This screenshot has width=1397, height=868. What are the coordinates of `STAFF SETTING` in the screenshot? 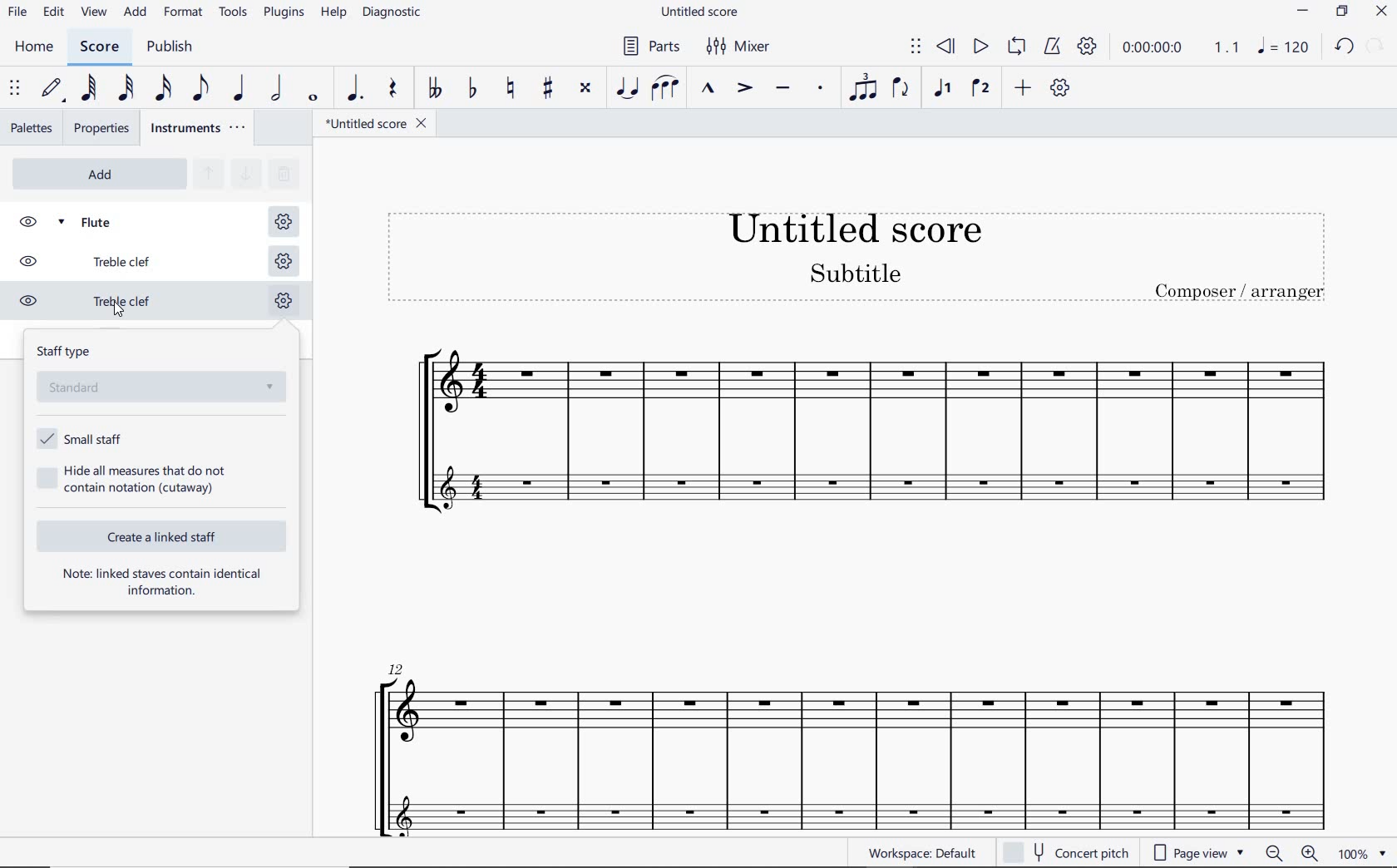 It's located at (282, 222).